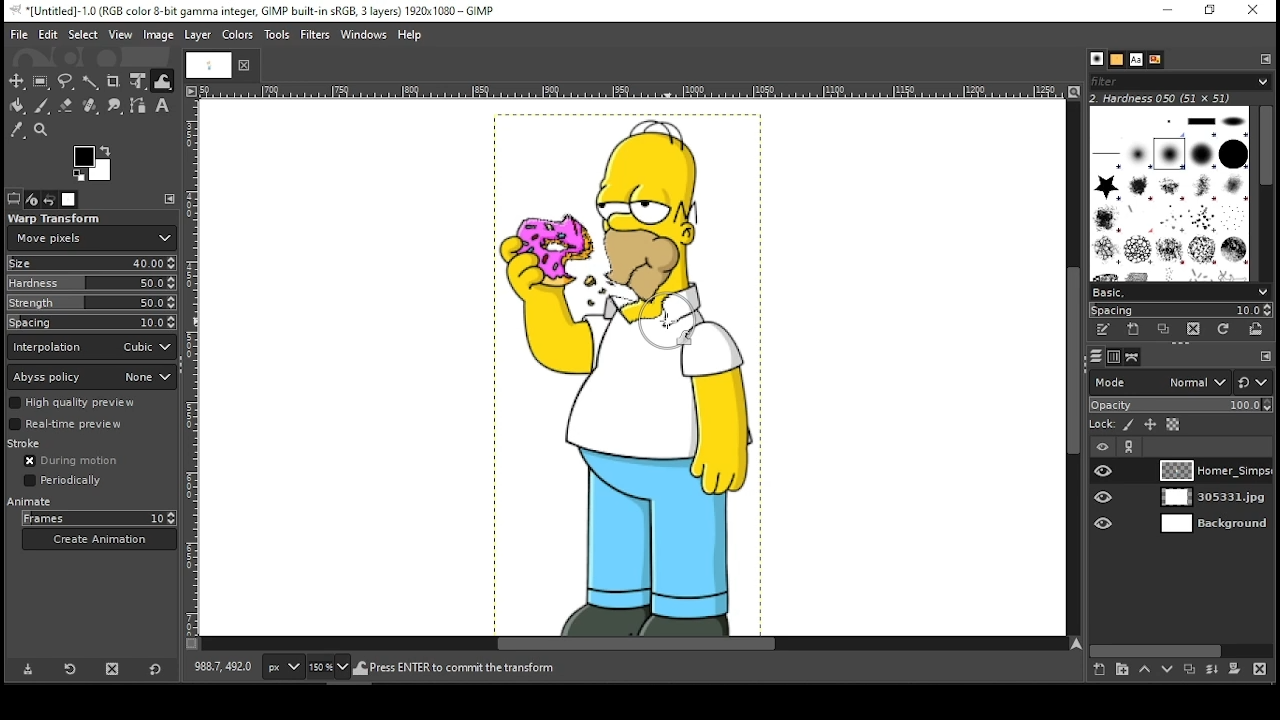 This screenshot has height=720, width=1280. What do you see at coordinates (16, 80) in the screenshot?
I see `move tool` at bounding box center [16, 80].